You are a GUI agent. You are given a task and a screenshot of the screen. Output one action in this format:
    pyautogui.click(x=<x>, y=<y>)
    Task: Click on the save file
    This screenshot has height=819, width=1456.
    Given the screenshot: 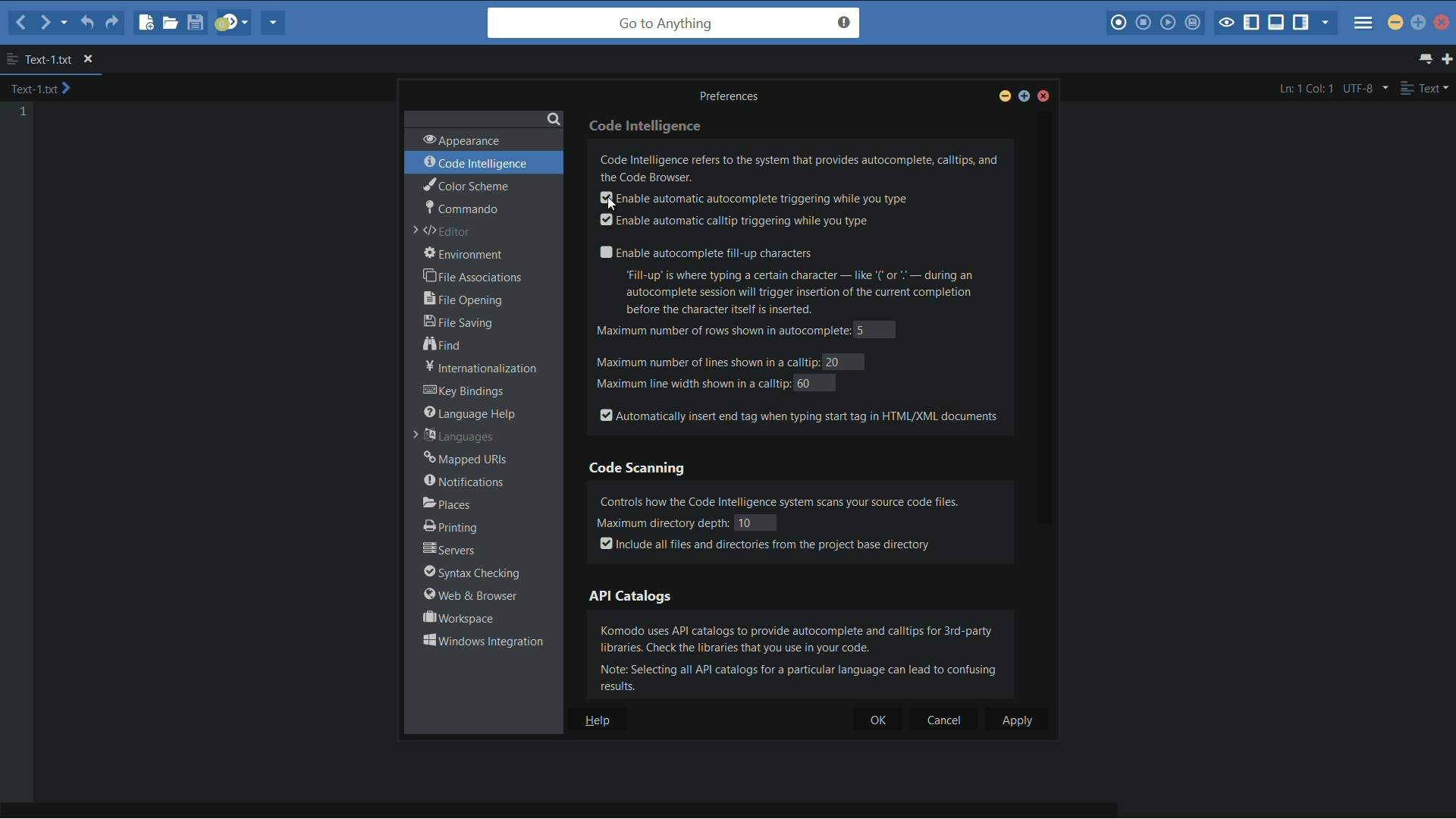 What is the action you would take?
    pyautogui.click(x=197, y=22)
    